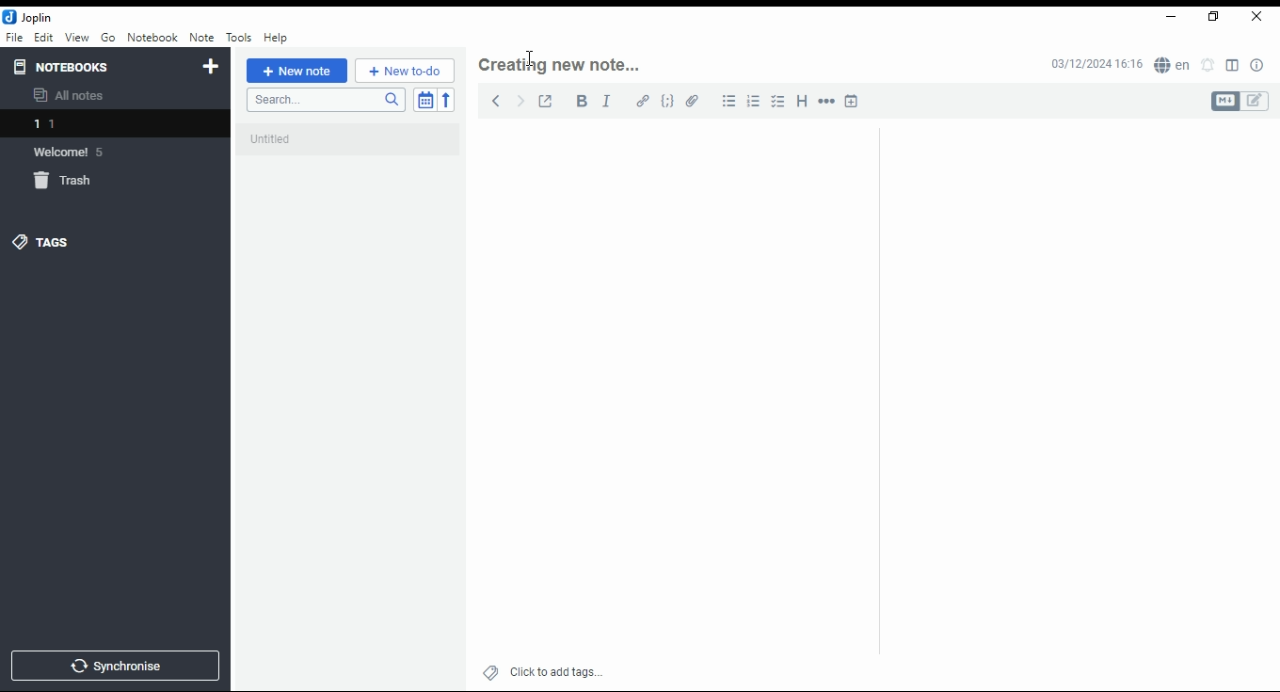  Describe the element at coordinates (43, 36) in the screenshot. I see `edit` at that location.